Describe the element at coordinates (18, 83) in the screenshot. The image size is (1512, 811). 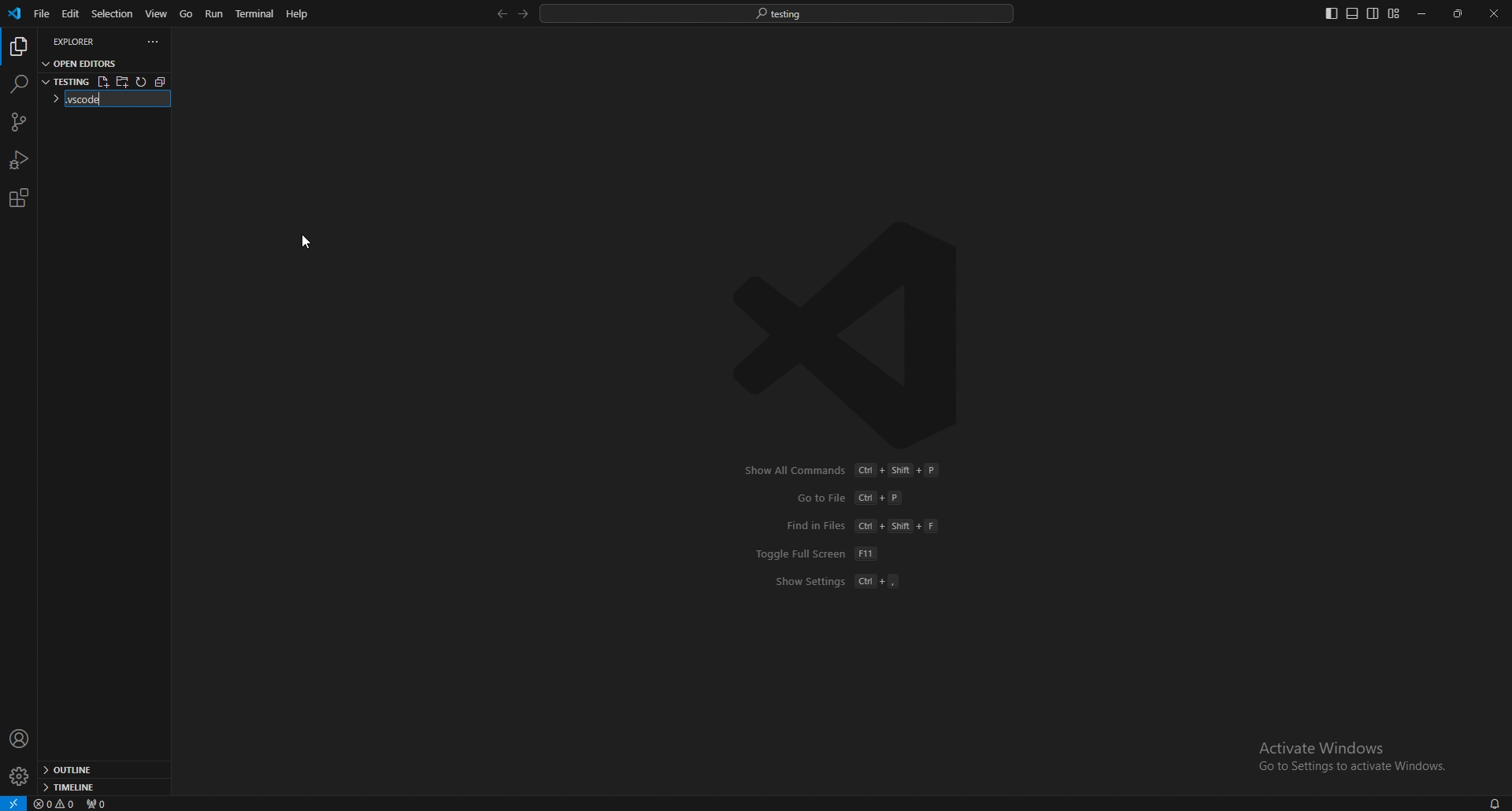
I see `search` at that location.